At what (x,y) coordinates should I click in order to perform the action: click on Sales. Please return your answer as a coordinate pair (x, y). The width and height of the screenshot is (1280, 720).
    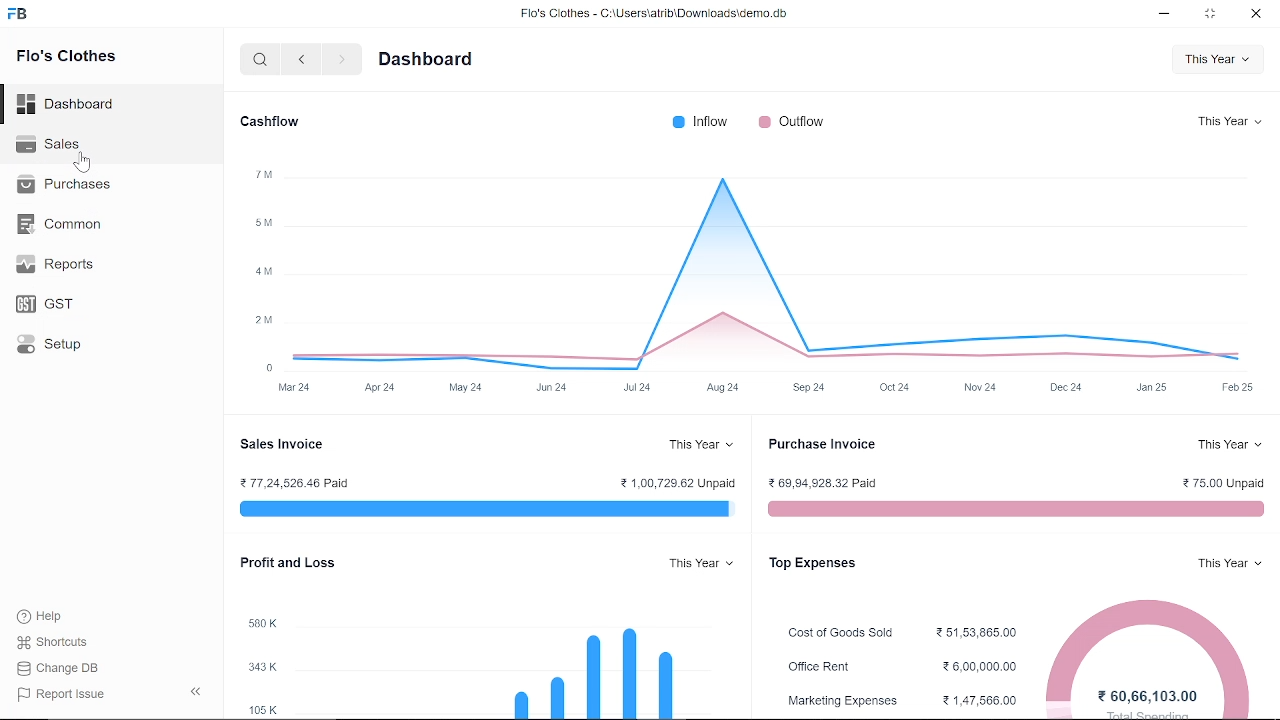
    Looking at the image, I should click on (70, 145).